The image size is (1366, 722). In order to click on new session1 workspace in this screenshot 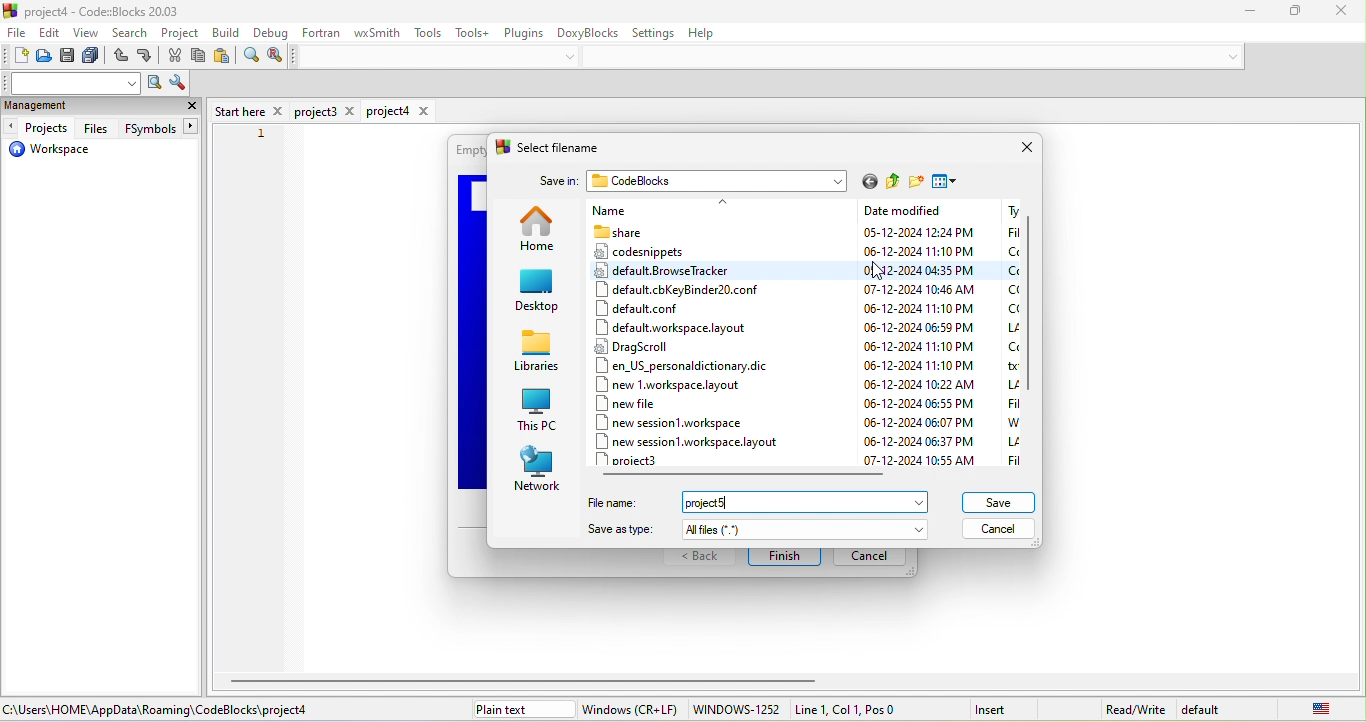, I will do `click(687, 422)`.